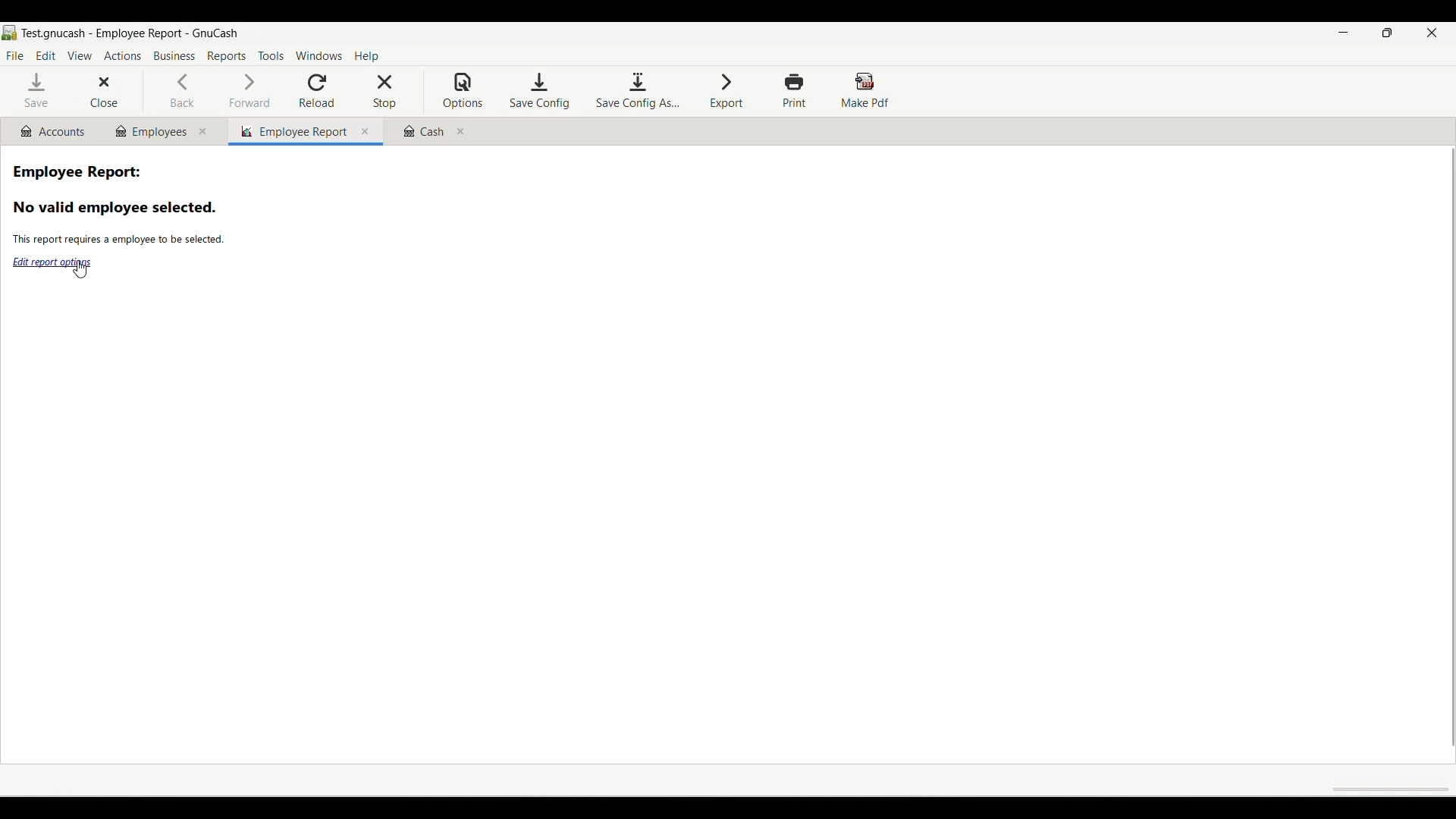 The height and width of the screenshot is (819, 1456). Describe the element at coordinates (367, 130) in the screenshot. I see `Close current tab` at that location.